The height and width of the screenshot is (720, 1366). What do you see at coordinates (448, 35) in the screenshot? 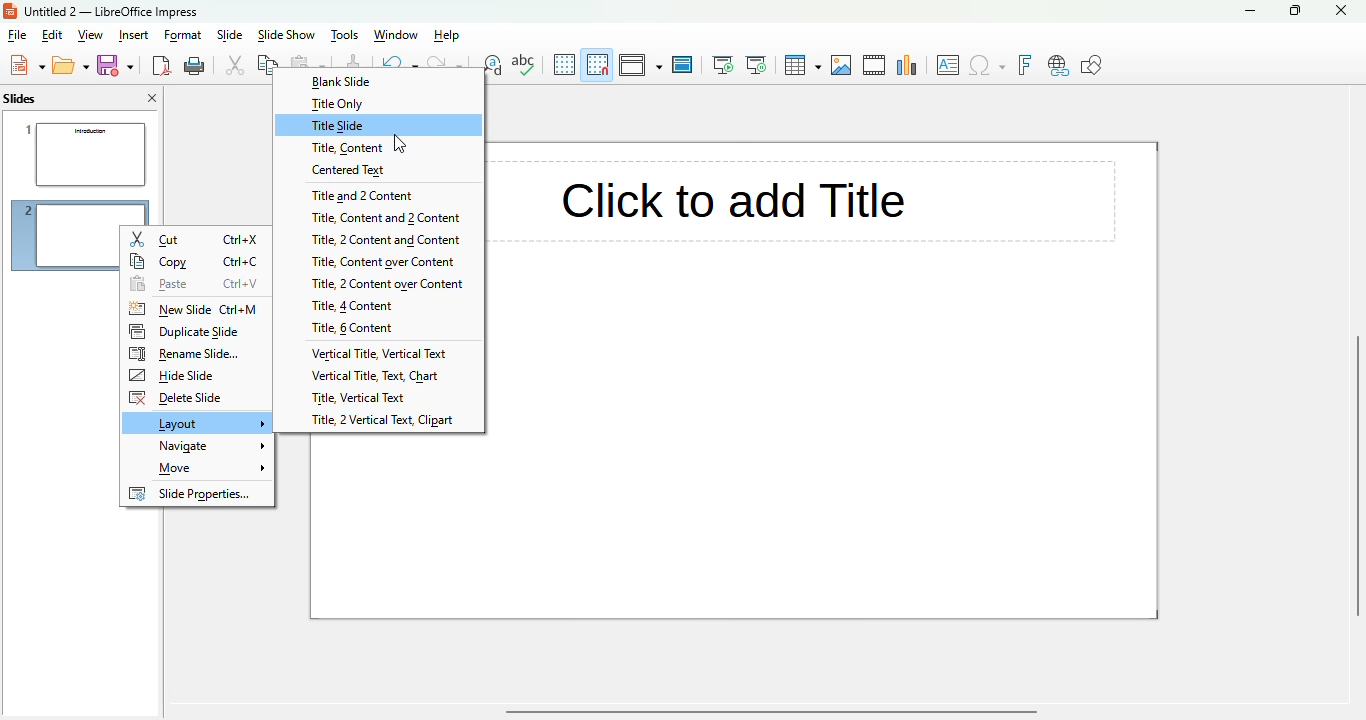
I see `help` at bounding box center [448, 35].